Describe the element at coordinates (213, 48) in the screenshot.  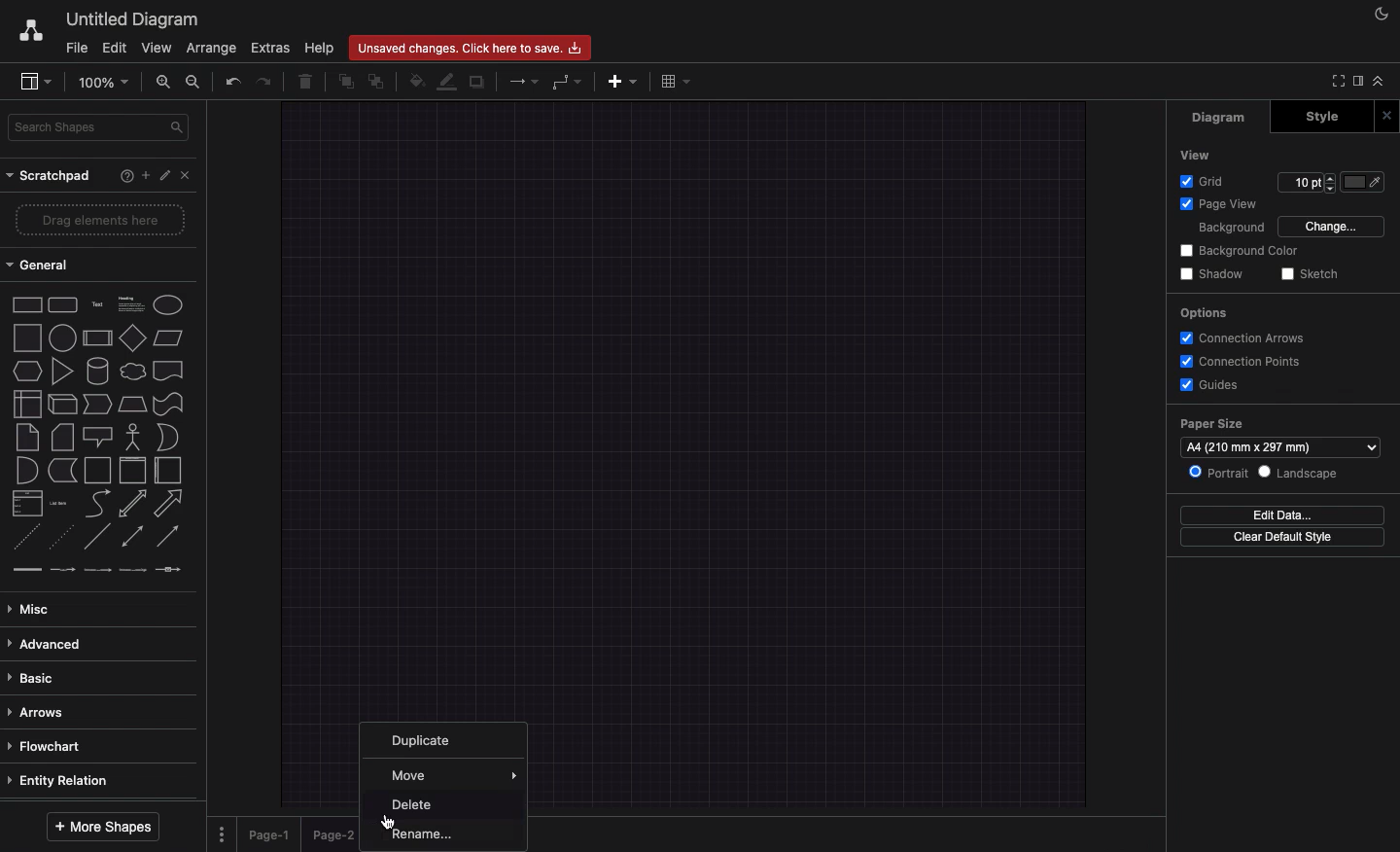
I see `Arrange` at that location.